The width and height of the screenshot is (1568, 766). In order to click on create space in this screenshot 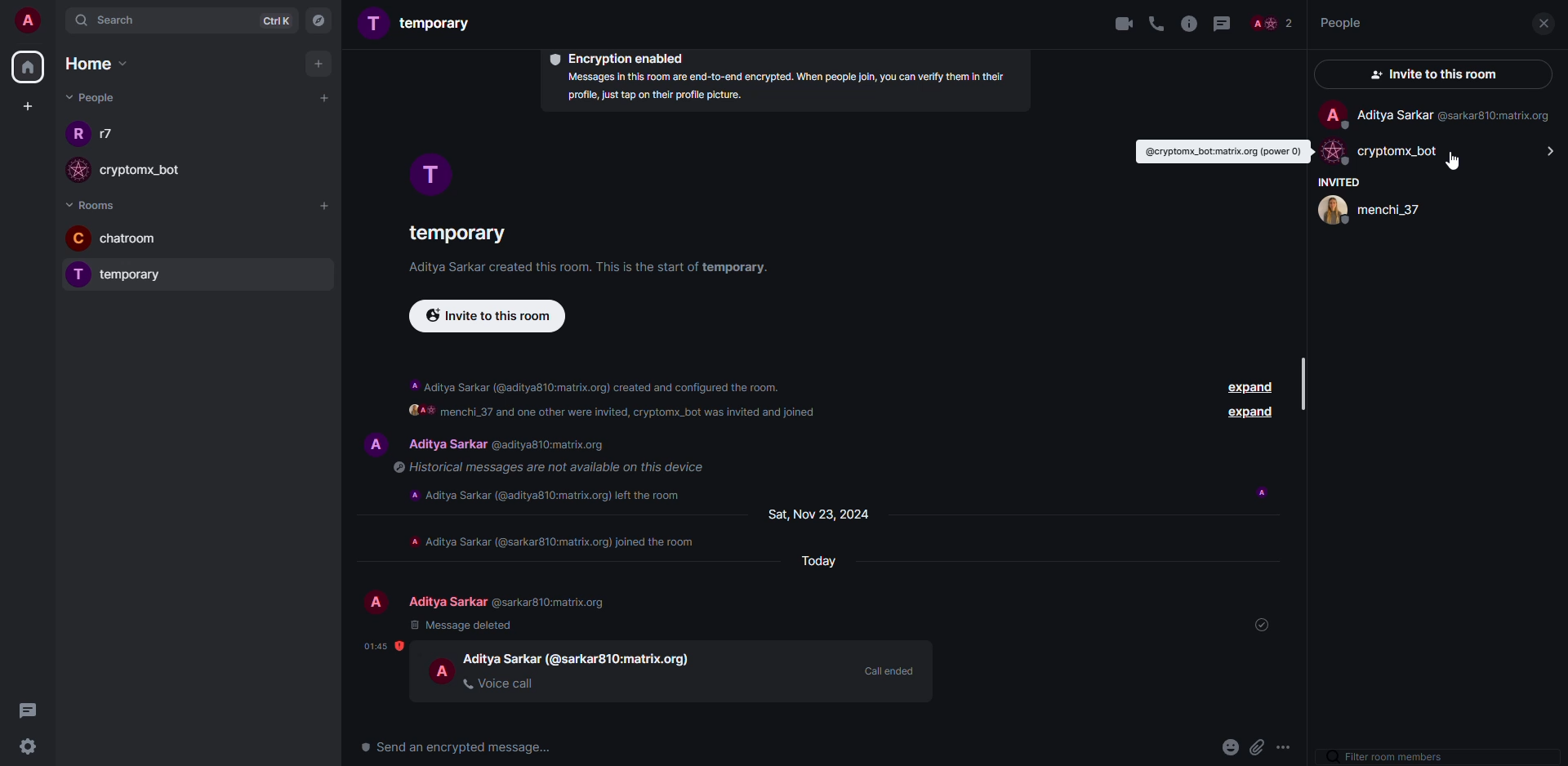, I will do `click(28, 105)`.